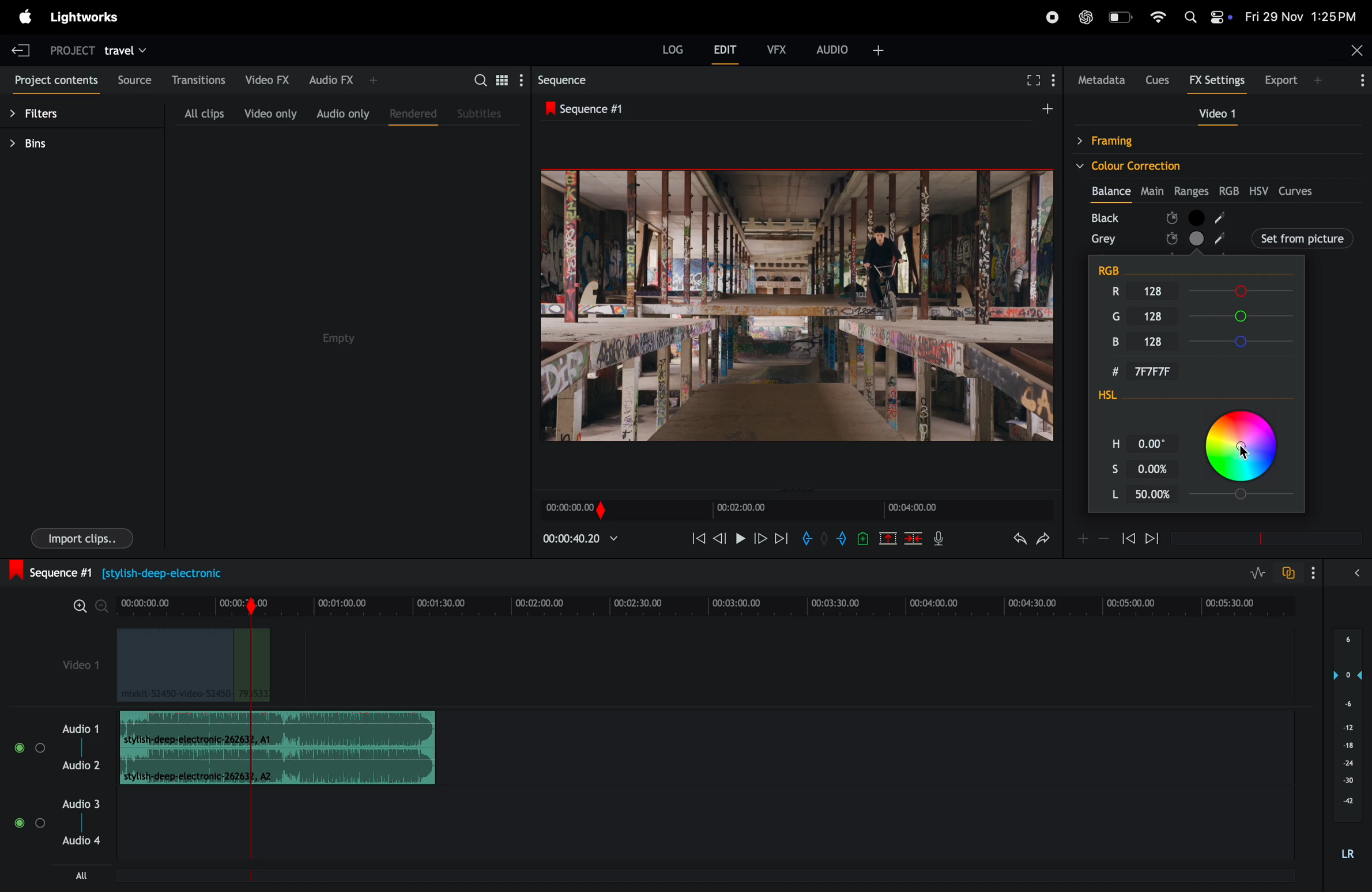  Describe the element at coordinates (1106, 467) in the screenshot. I see `S` at that location.